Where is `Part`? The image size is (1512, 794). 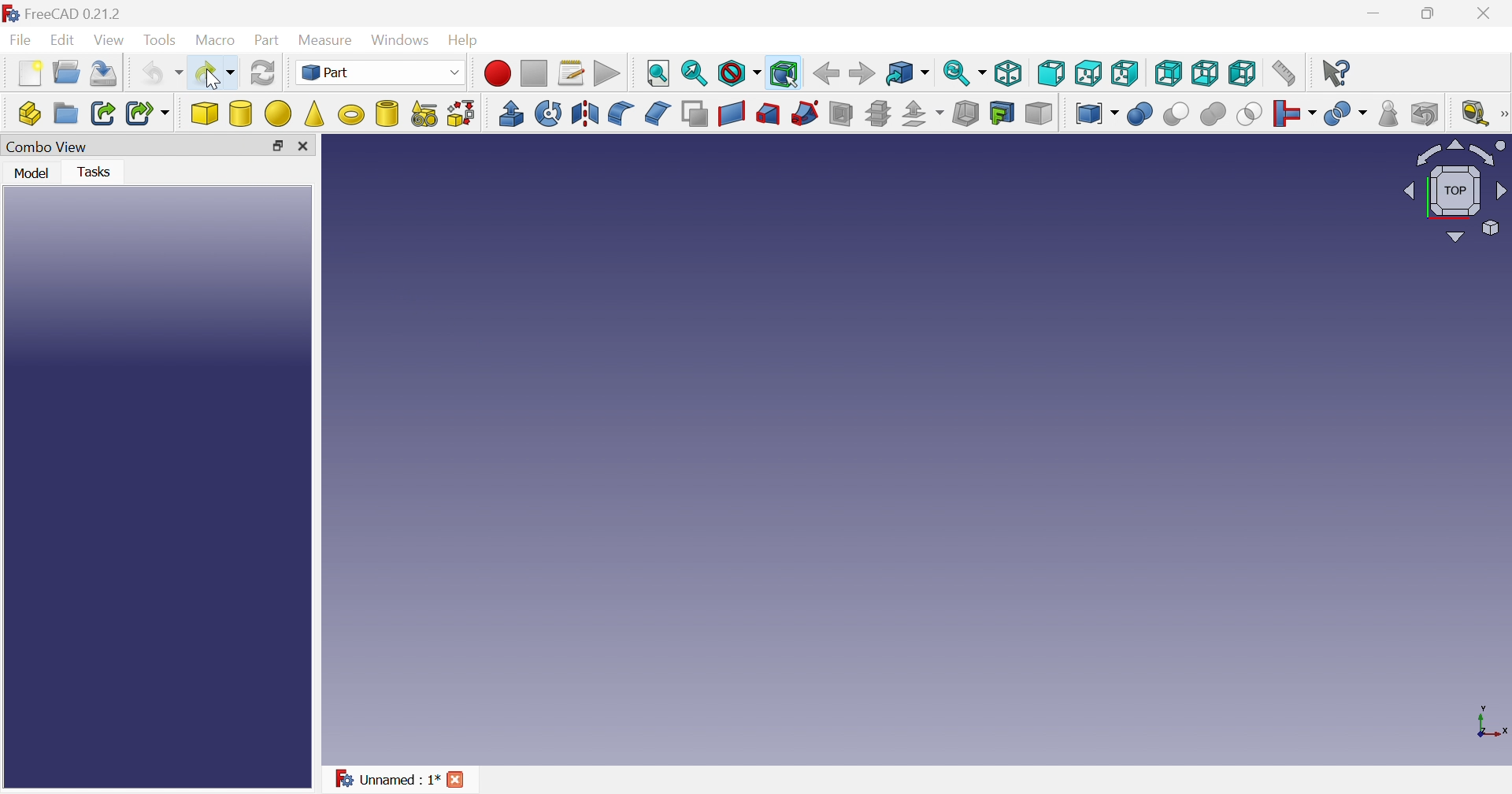
Part is located at coordinates (383, 73).